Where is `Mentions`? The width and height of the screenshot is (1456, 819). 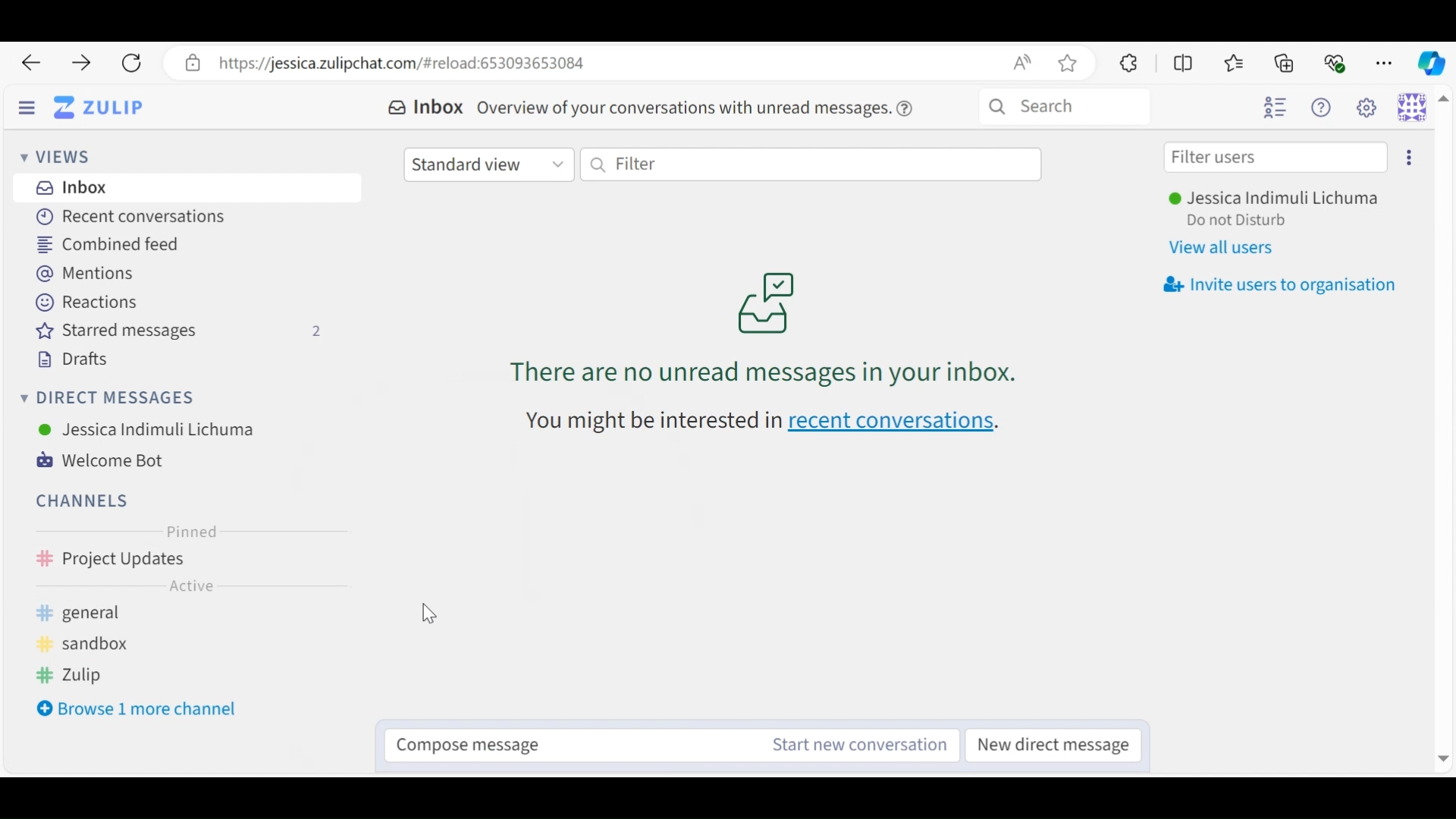
Mentions is located at coordinates (92, 275).